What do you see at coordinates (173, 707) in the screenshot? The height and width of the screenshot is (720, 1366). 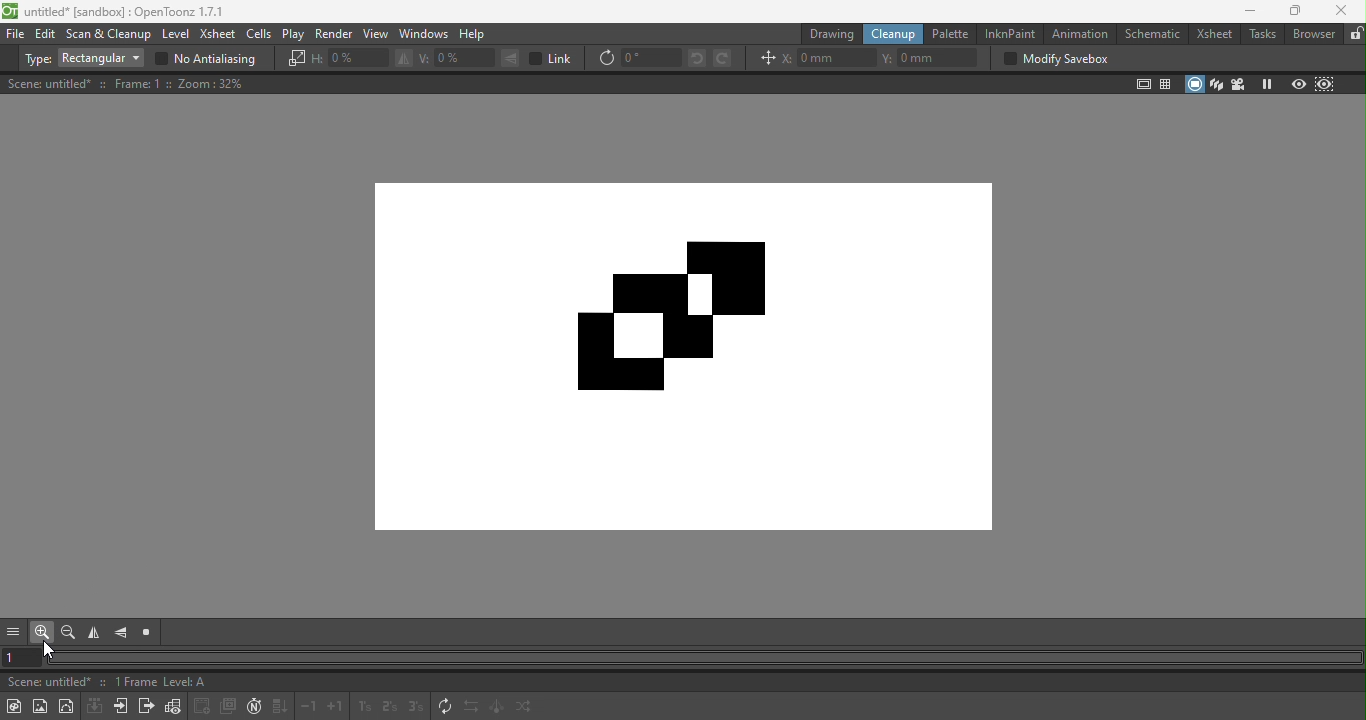 I see `Toggle edit in place` at bounding box center [173, 707].